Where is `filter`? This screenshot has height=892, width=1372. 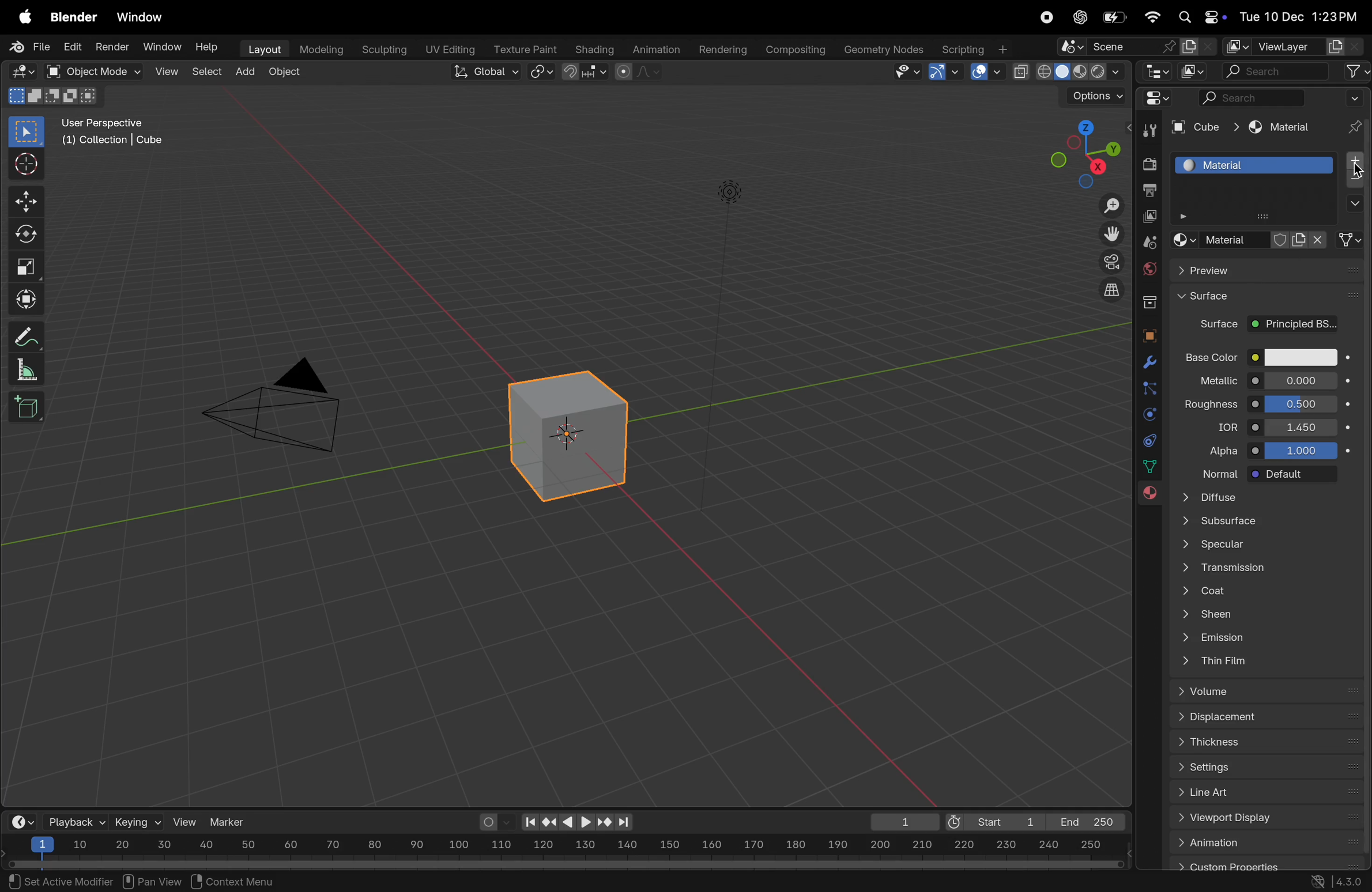
filter is located at coordinates (1356, 71).